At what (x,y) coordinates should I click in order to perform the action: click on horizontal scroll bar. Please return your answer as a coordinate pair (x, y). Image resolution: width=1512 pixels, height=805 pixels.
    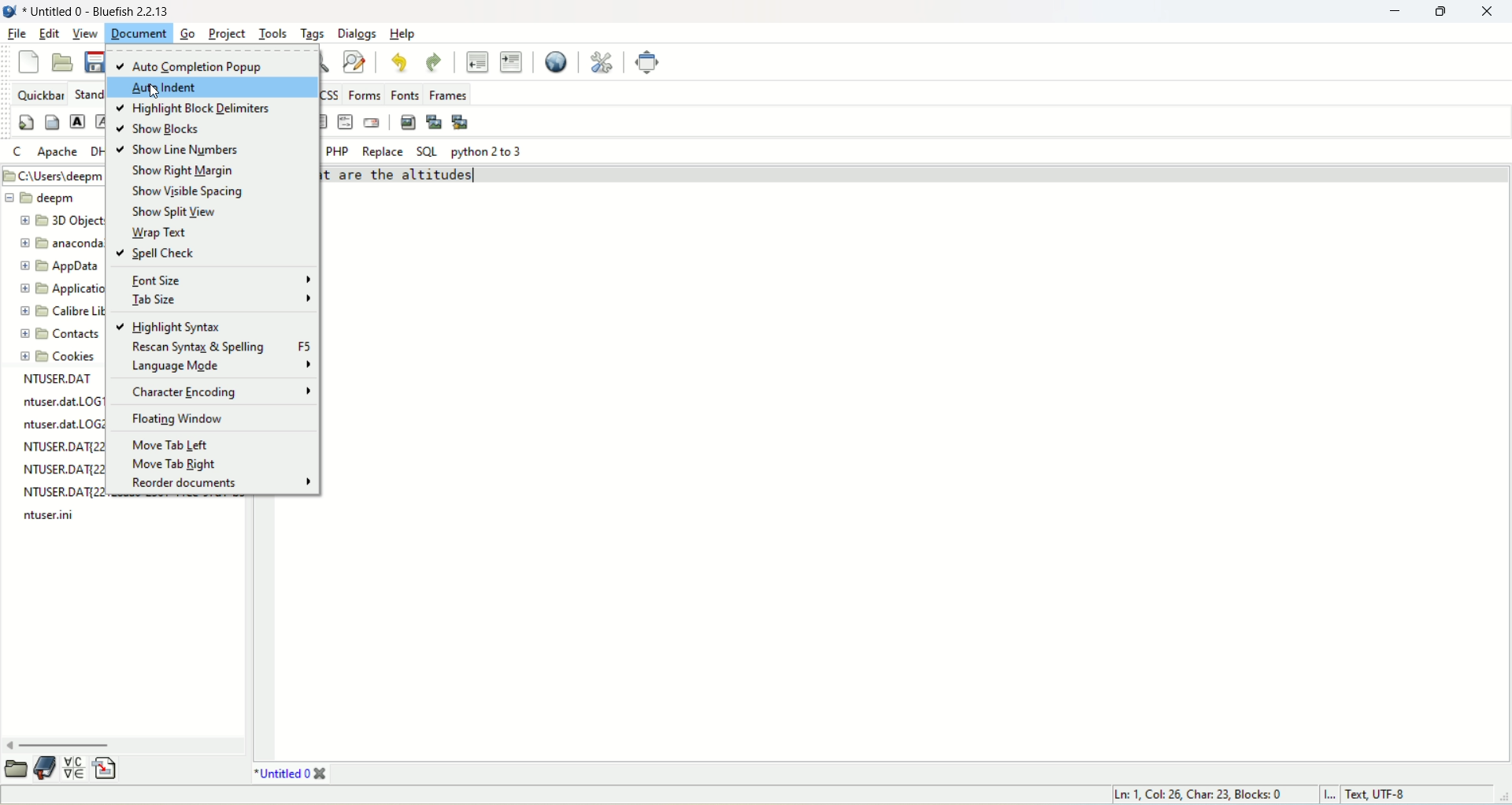
    Looking at the image, I should click on (124, 745).